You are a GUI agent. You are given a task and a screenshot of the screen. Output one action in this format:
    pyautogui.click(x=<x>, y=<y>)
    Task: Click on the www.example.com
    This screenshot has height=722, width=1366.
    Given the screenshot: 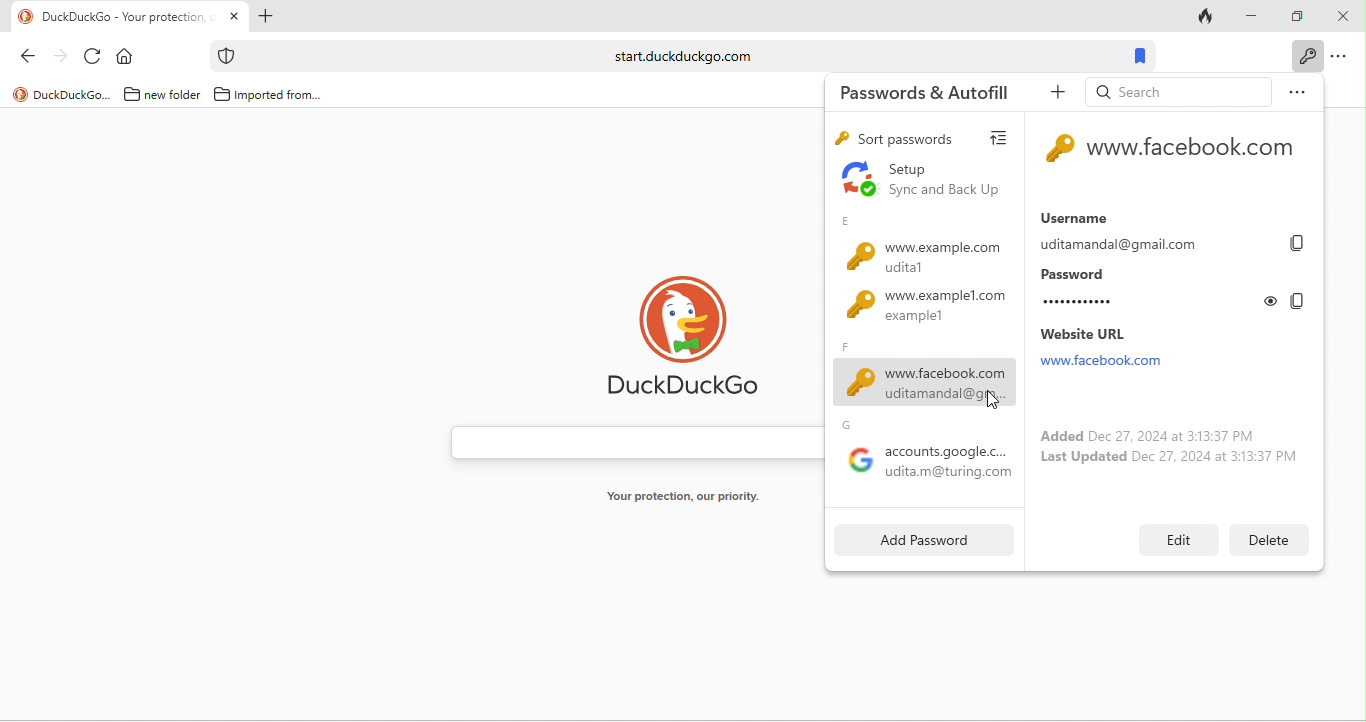 What is the action you would take?
    pyautogui.click(x=917, y=248)
    